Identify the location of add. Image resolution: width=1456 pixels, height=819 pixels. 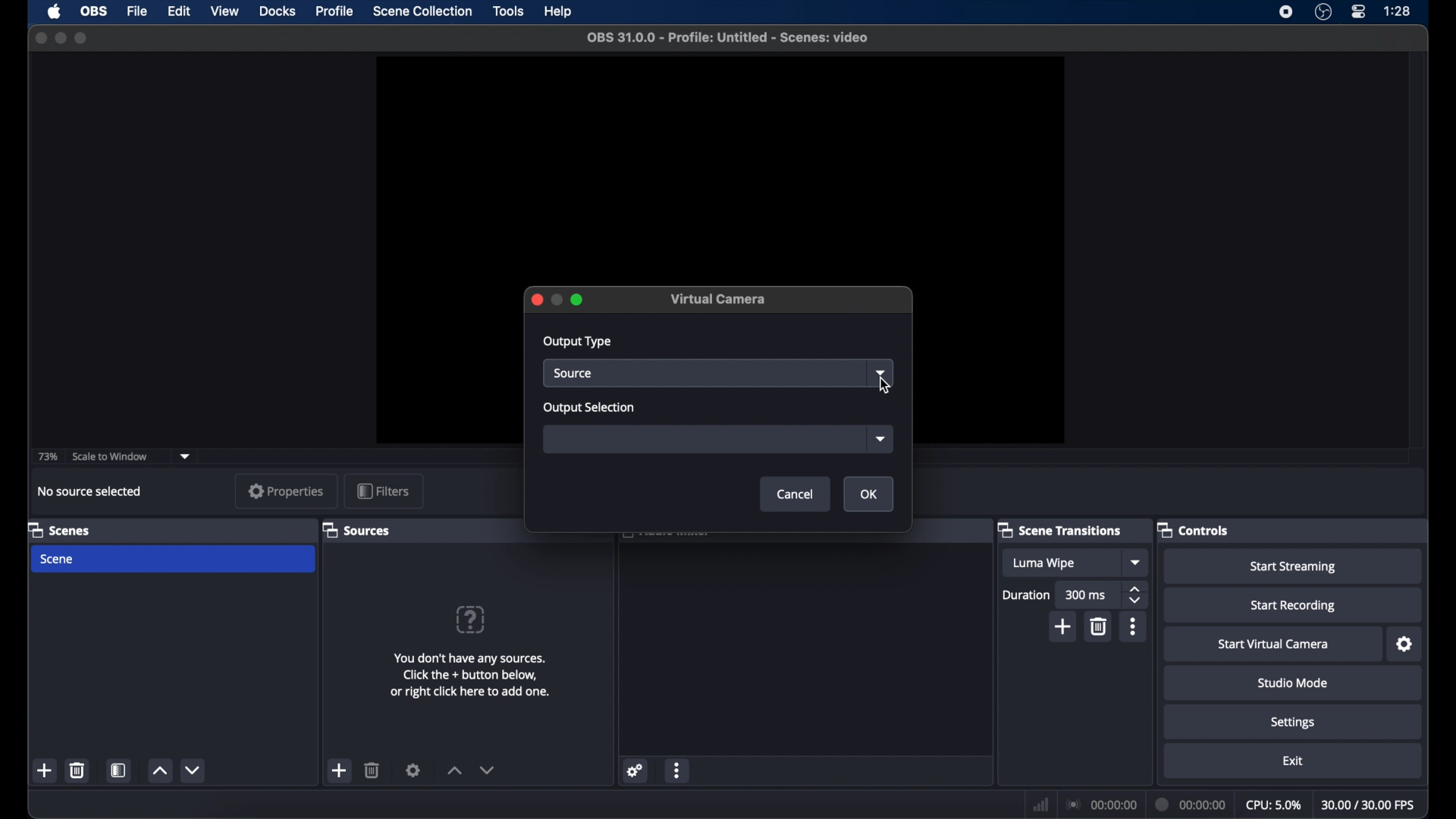
(1062, 626).